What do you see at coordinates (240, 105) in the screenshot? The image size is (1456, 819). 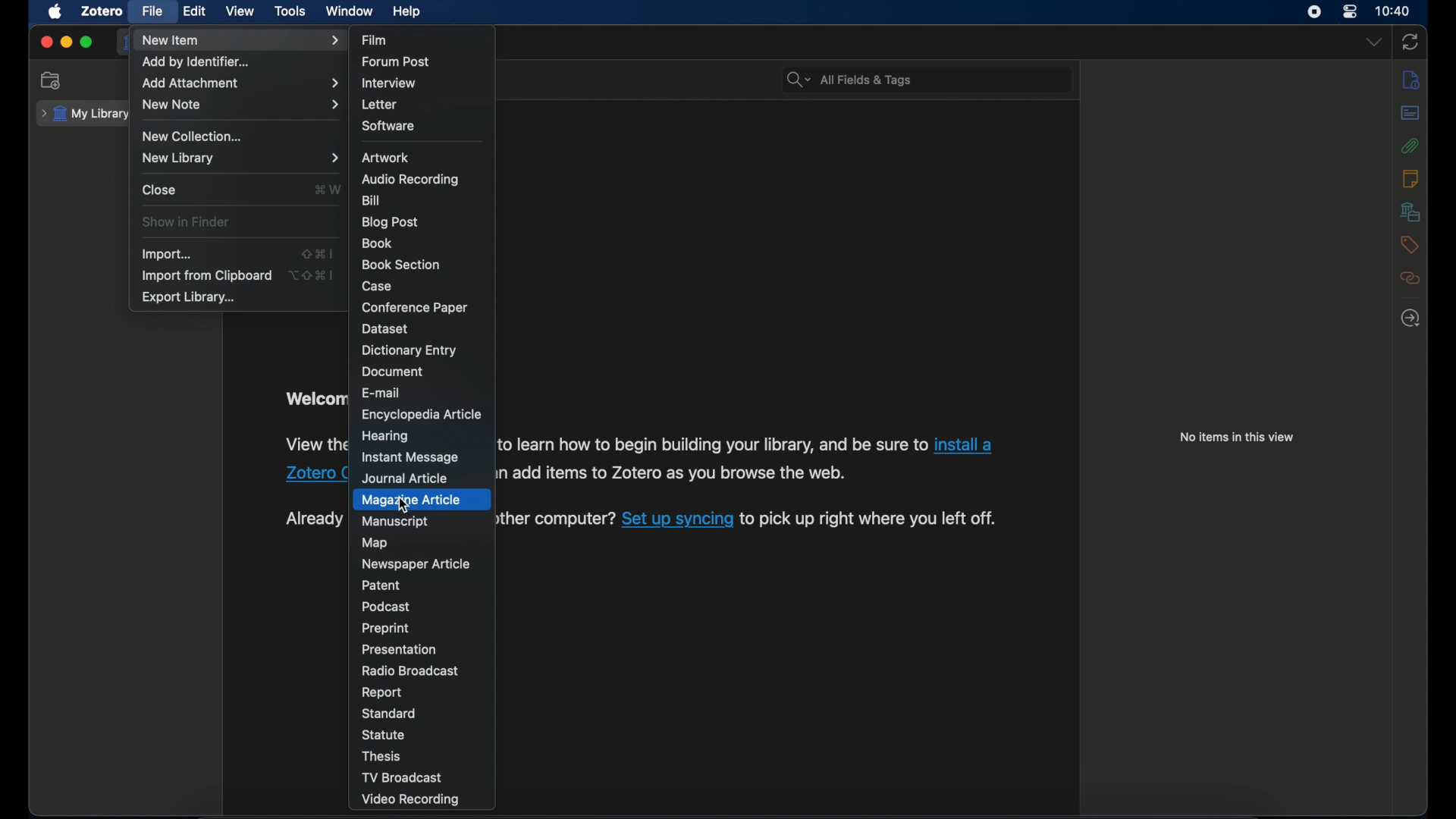 I see `new note` at bounding box center [240, 105].